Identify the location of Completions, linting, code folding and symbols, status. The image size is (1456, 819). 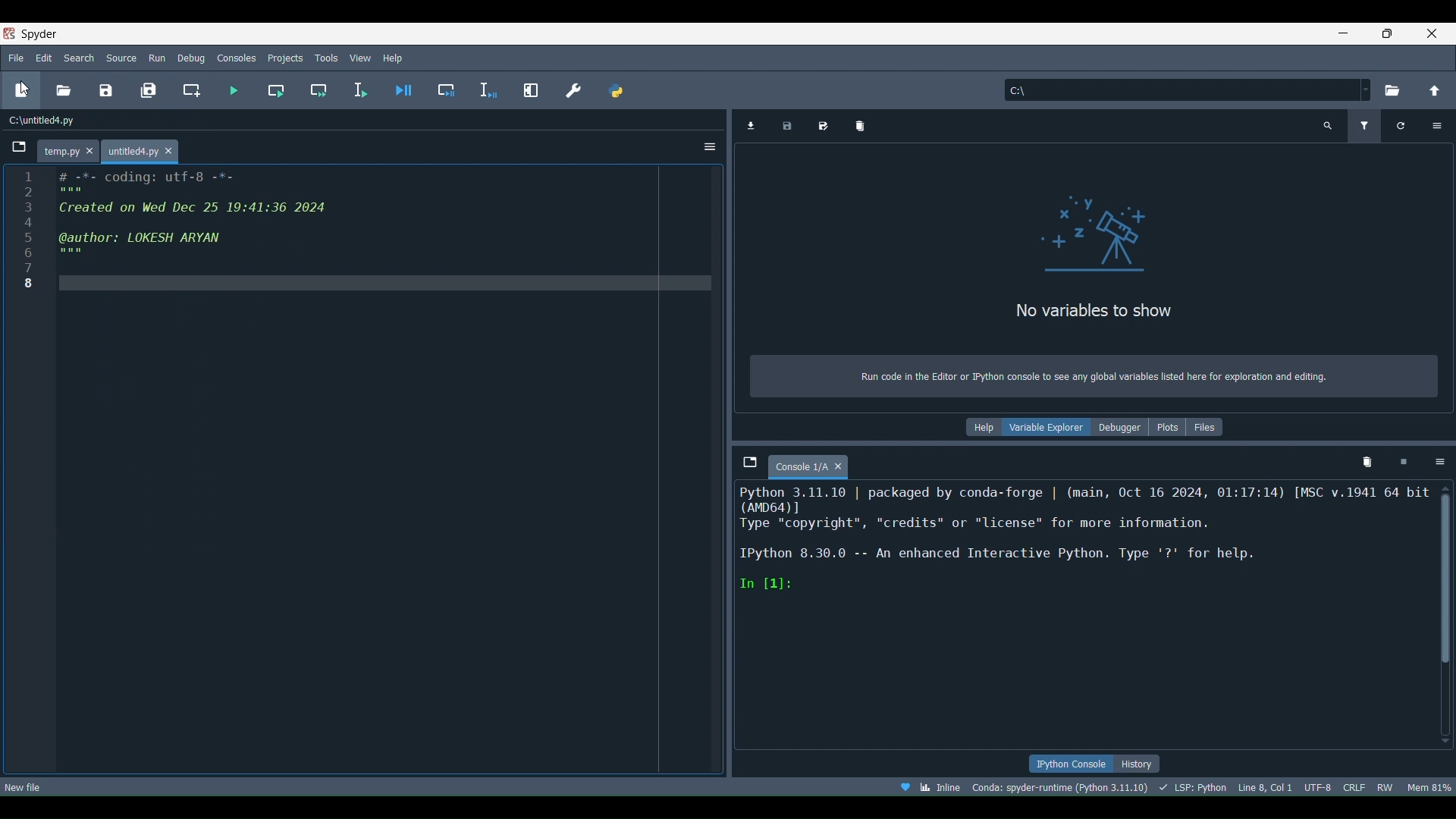
(1195, 786).